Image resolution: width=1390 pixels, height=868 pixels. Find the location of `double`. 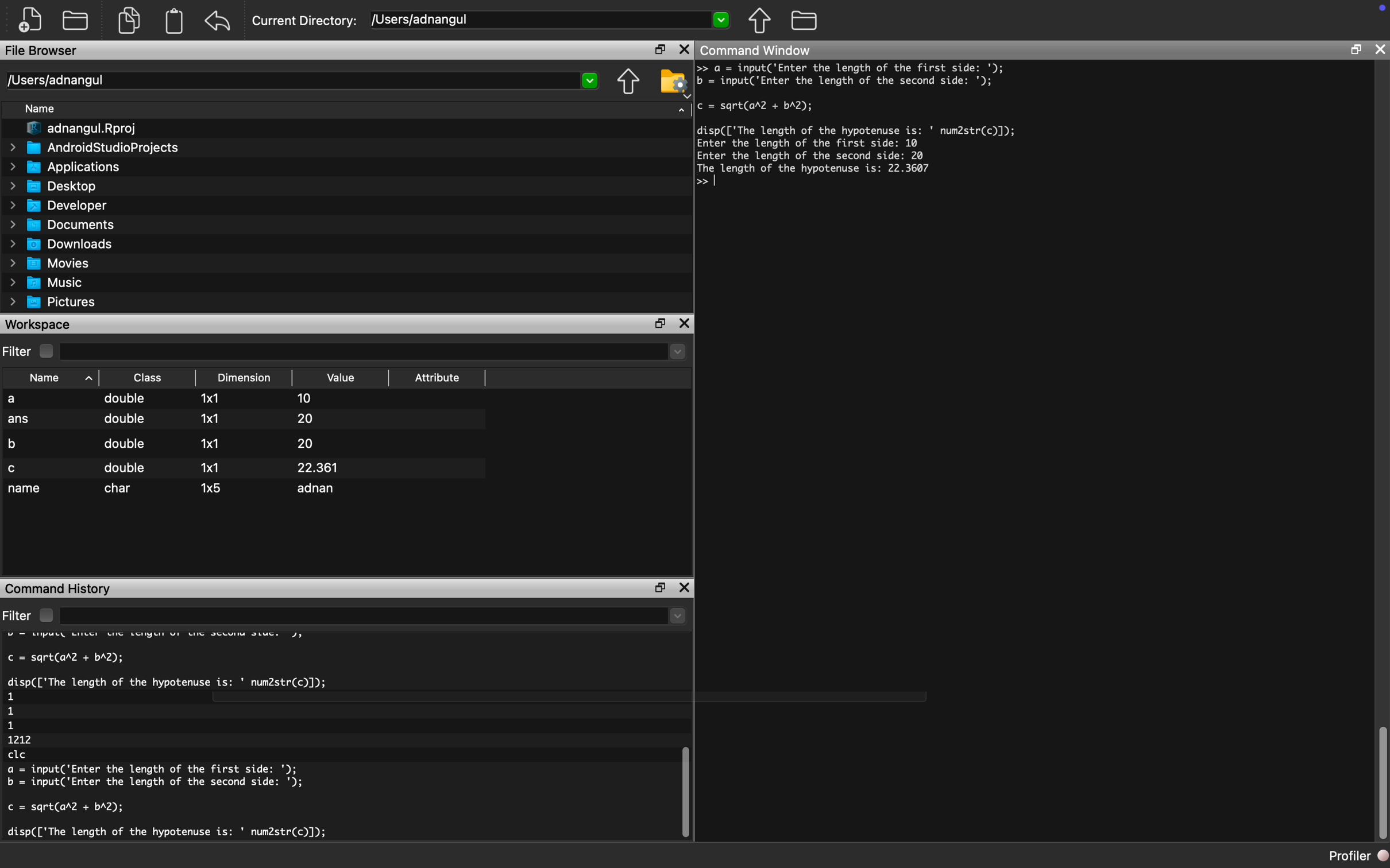

double is located at coordinates (126, 400).